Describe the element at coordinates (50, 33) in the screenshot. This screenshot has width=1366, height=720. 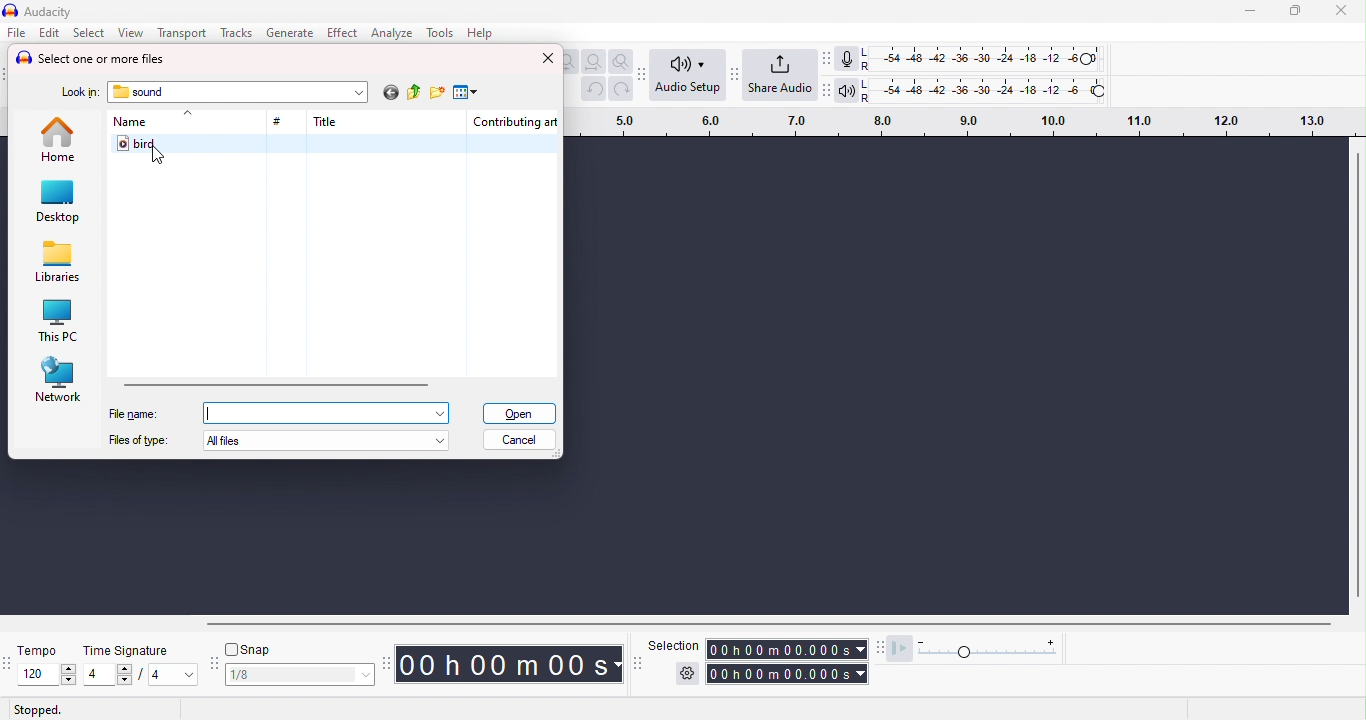
I see `edit` at that location.